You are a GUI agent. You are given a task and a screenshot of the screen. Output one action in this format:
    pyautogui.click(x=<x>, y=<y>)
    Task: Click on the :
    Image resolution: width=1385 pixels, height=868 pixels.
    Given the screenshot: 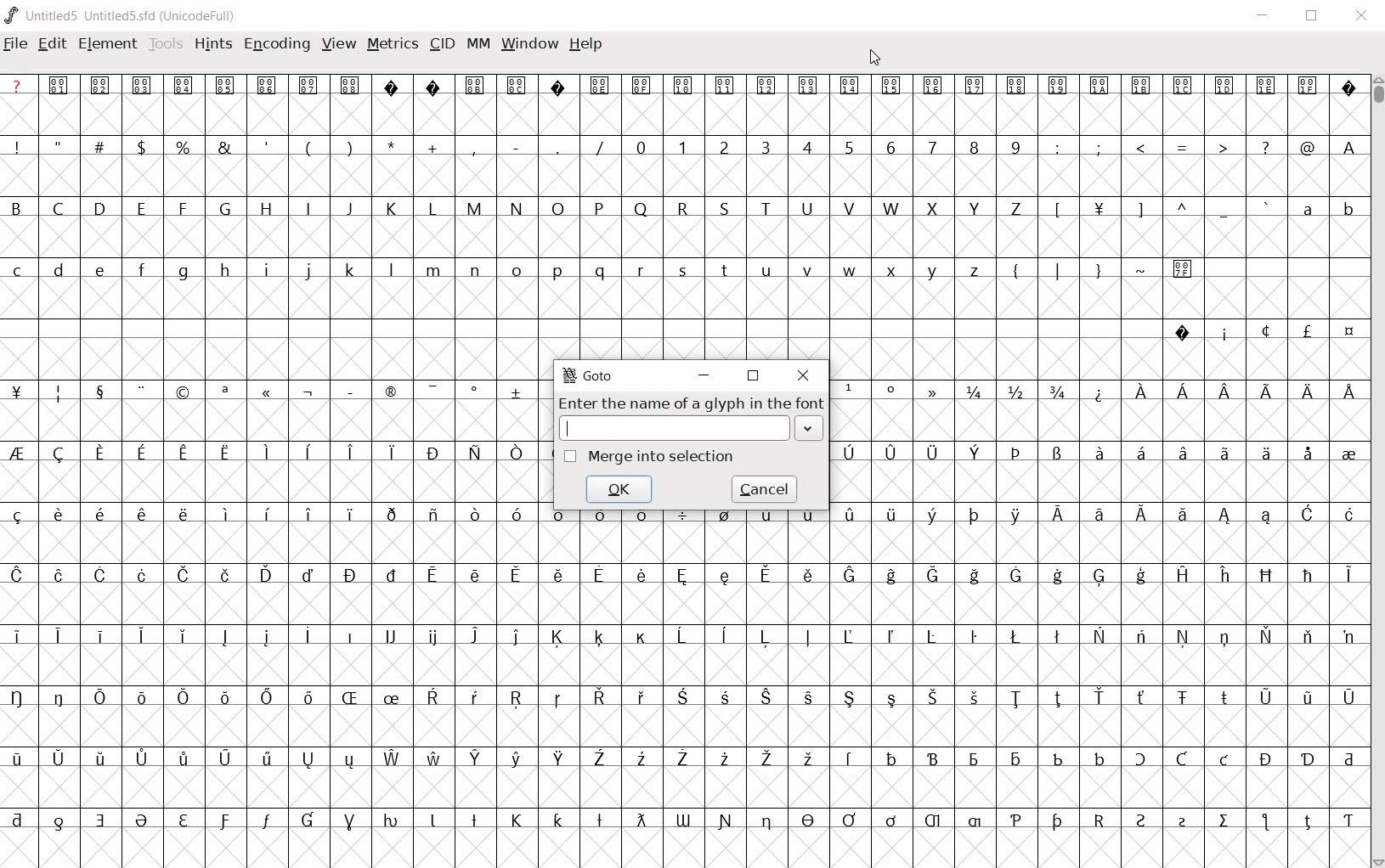 What is the action you would take?
    pyautogui.click(x=1055, y=146)
    